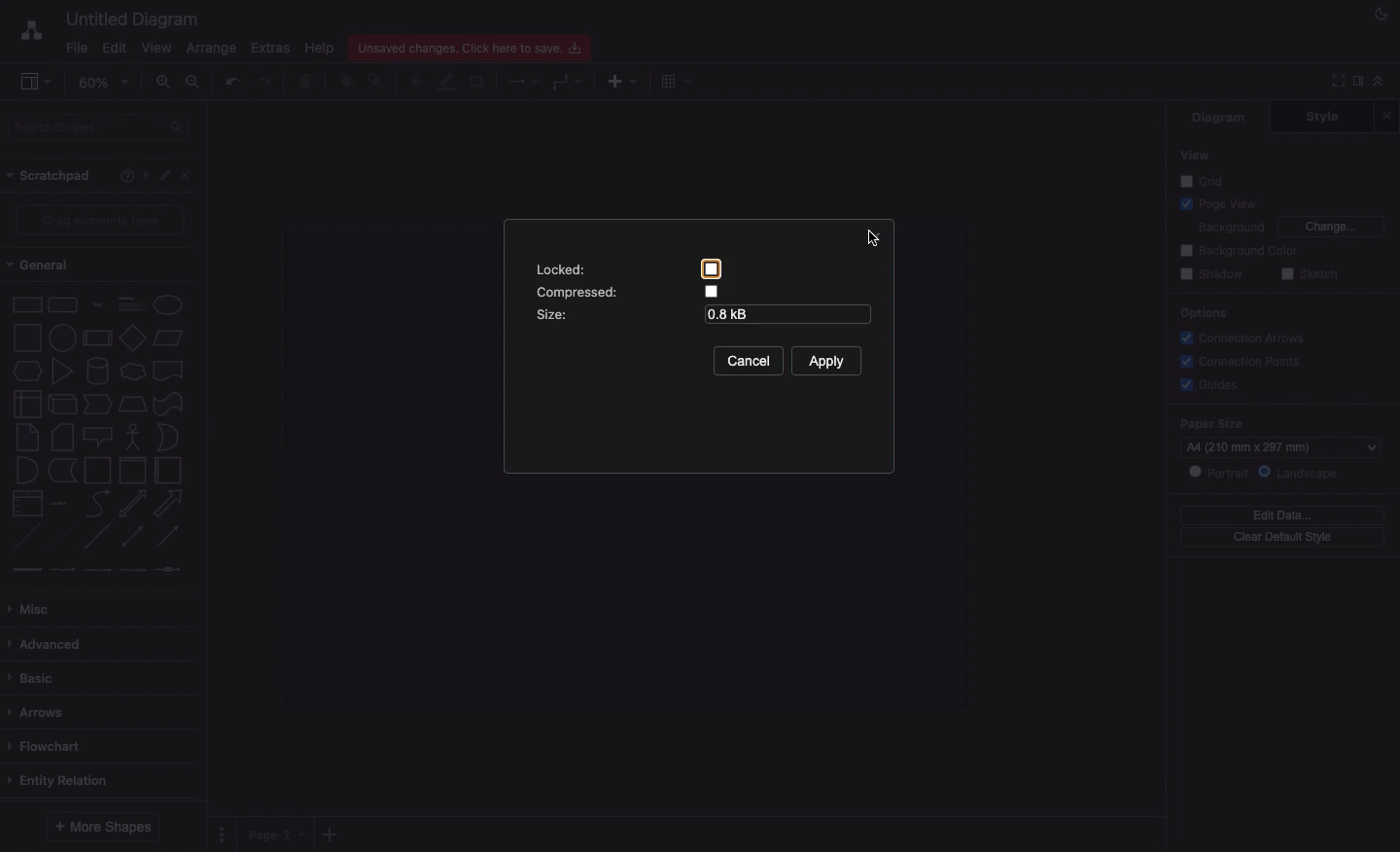 This screenshot has width=1400, height=852. What do you see at coordinates (880, 234) in the screenshot?
I see `Cursor` at bounding box center [880, 234].